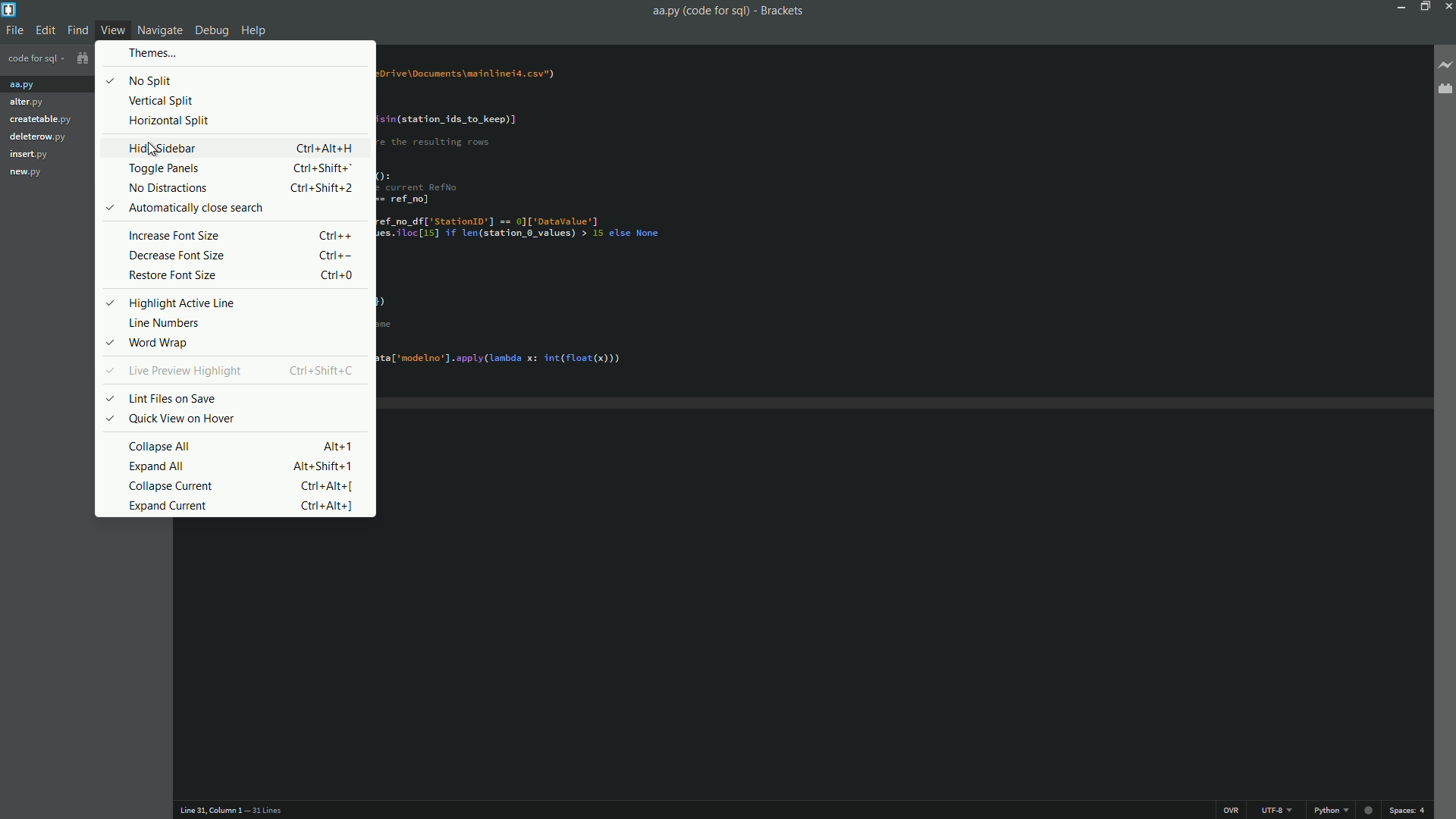  Describe the element at coordinates (195, 208) in the screenshot. I see `automatically close search button` at that location.